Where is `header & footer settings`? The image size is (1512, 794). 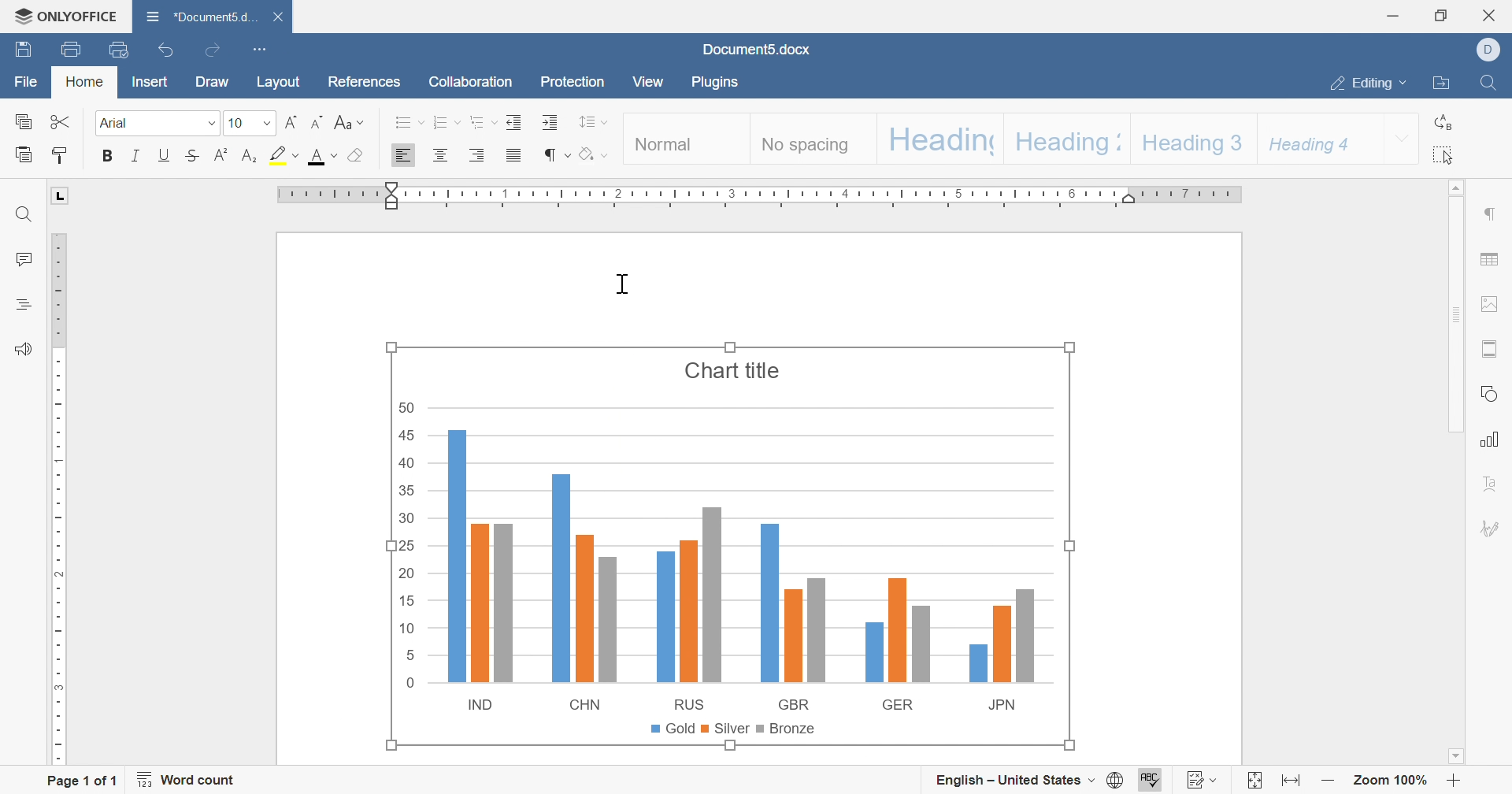 header & footer settings is located at coordinates (1492, 350).